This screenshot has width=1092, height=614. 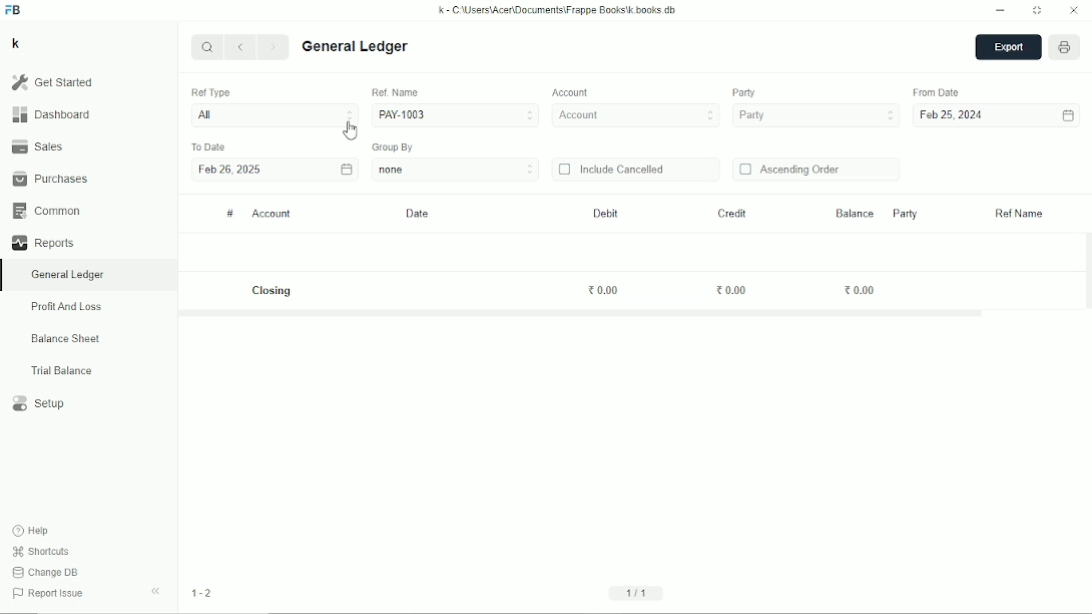 I want to click on Balance, so click(x=854, y=212).